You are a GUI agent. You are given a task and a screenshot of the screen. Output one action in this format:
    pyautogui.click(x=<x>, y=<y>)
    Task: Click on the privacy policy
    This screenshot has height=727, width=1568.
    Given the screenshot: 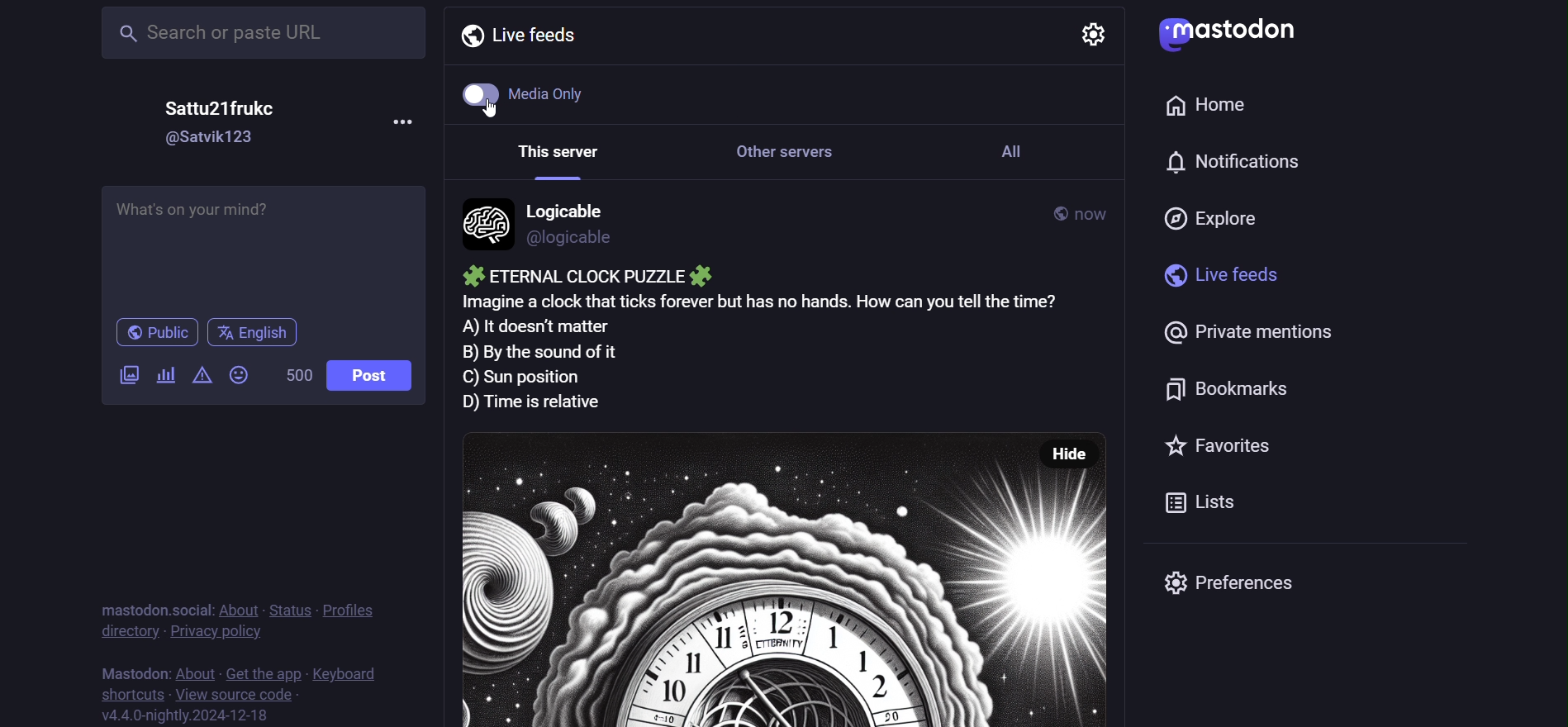 What is the action you would take?
    pyautogui.click(x=216, y=634)
    